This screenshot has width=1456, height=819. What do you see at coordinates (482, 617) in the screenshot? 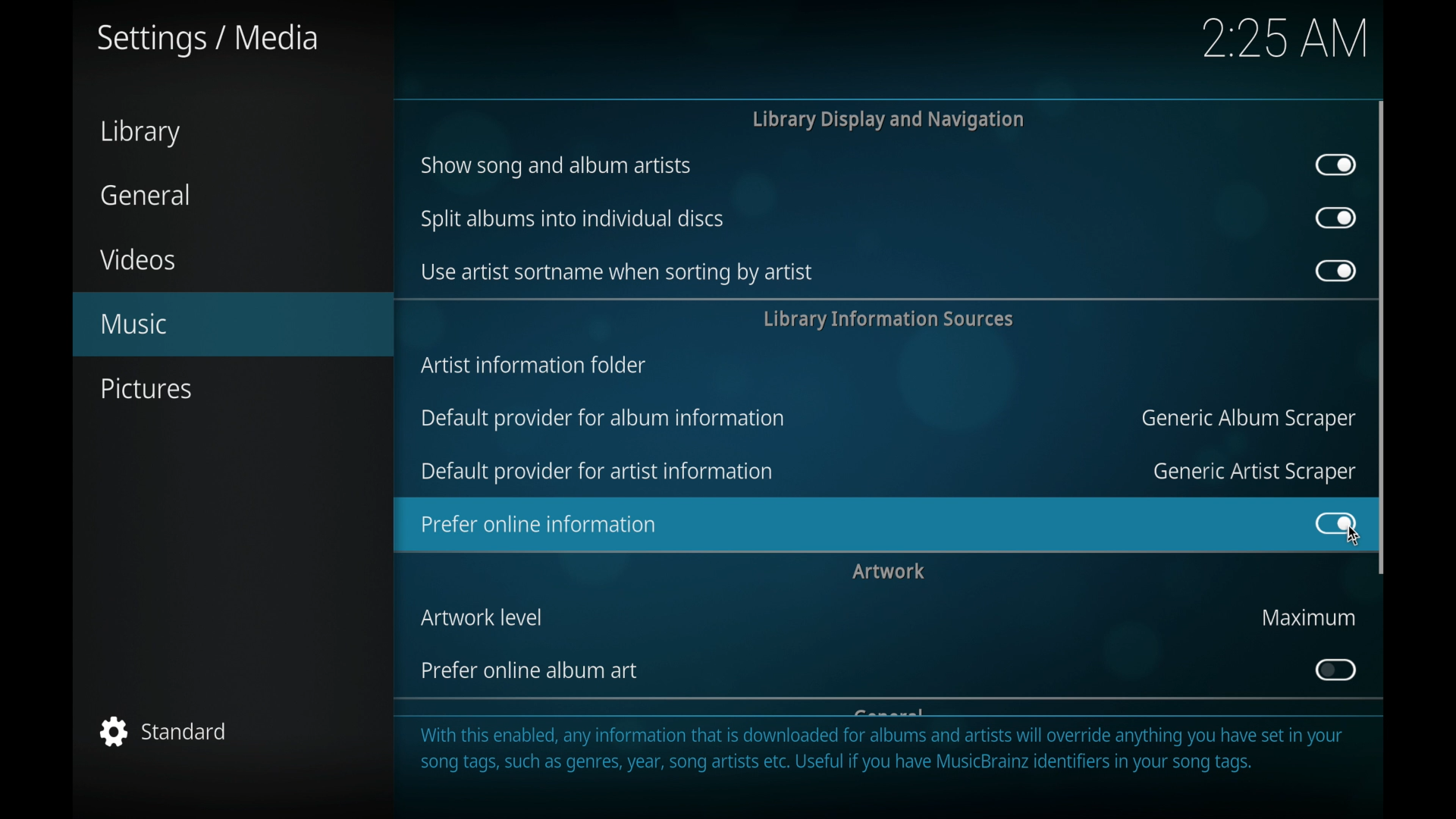
I see `artwork level` at bounding box center [482, 617].